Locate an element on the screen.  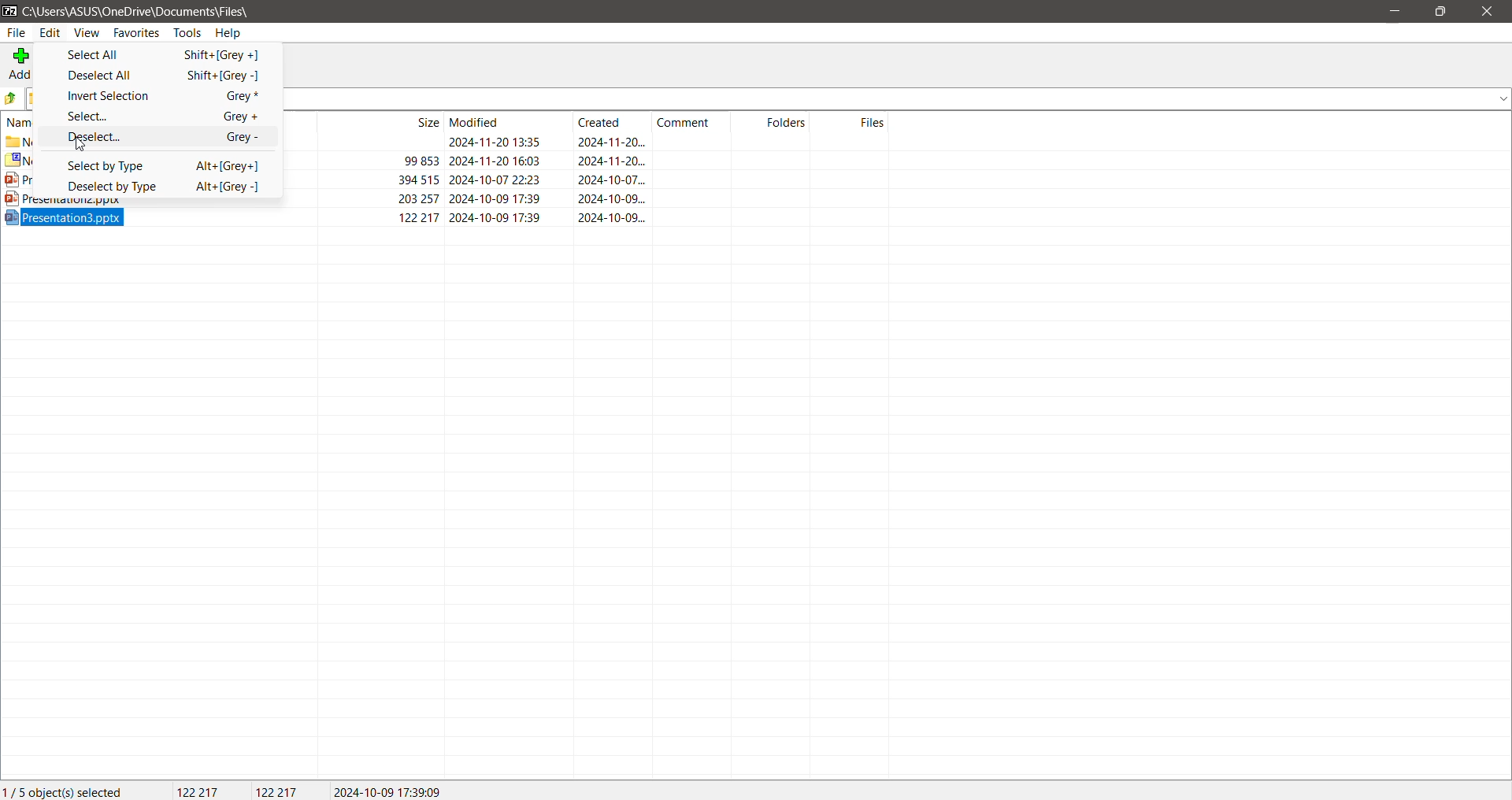
View is located at coordinates (86, 33).